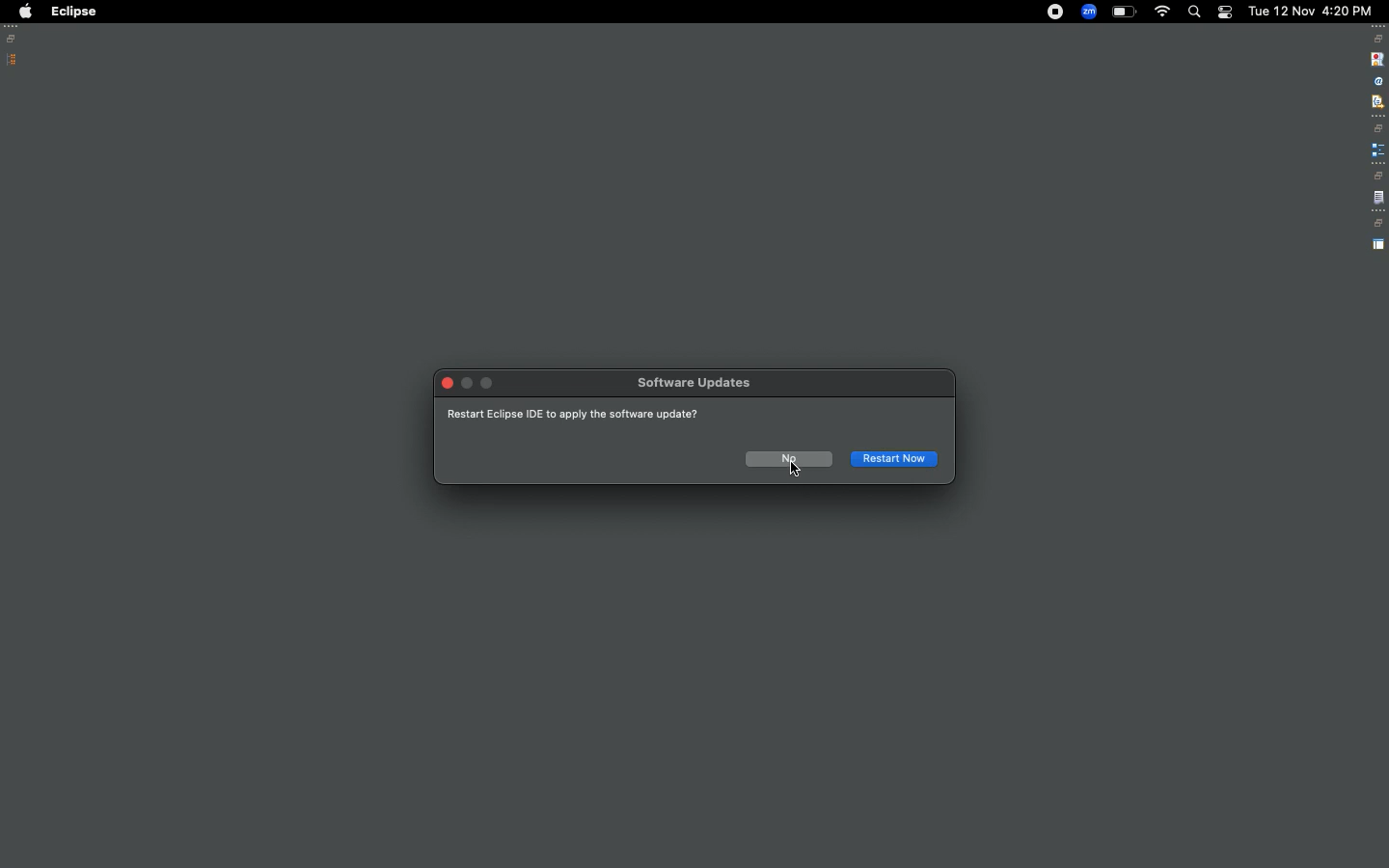 The width and height of the screenshot is (1389, 868). I want to click on cursor, so click(798, 471).